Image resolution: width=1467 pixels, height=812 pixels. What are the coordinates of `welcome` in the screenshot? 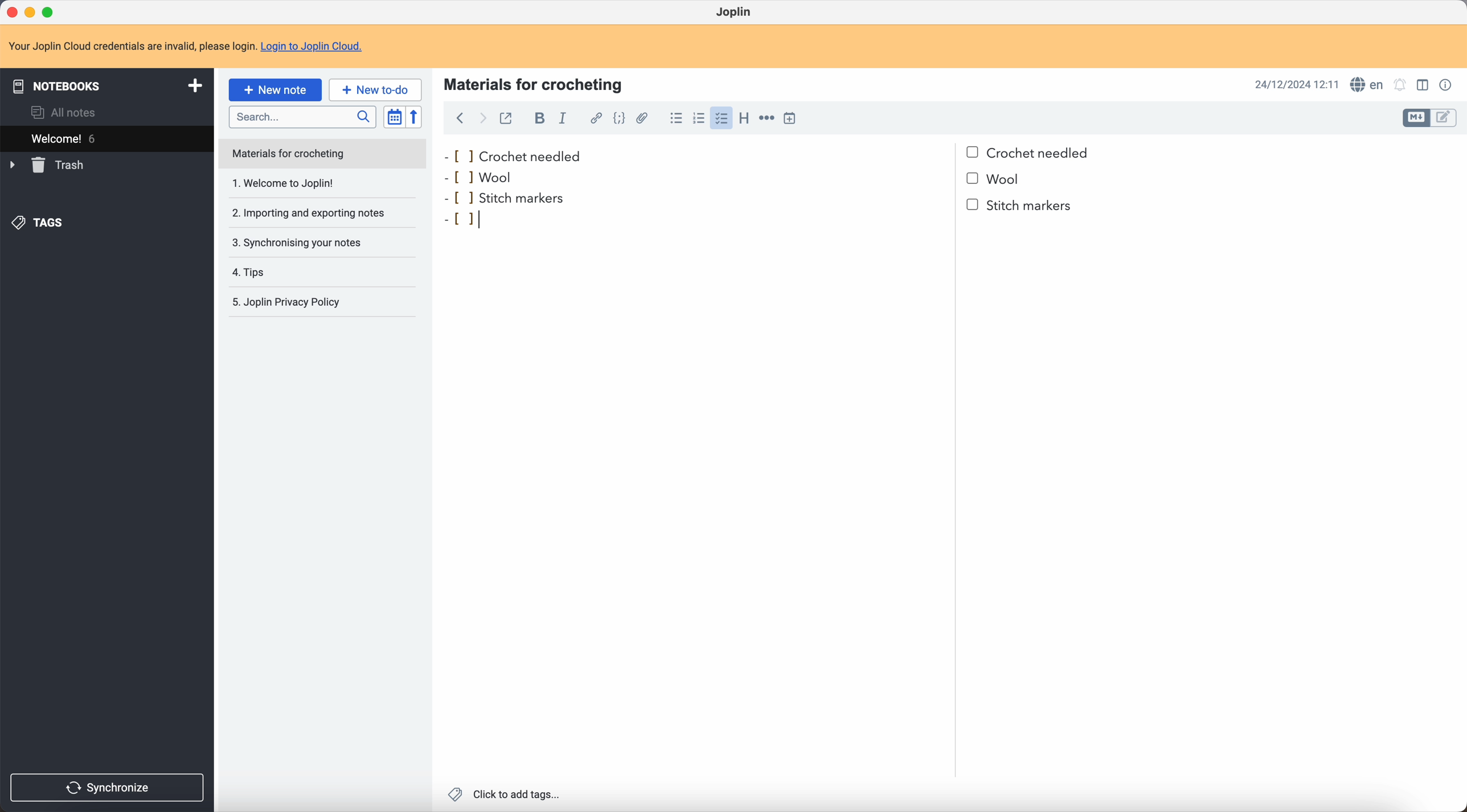 It's located at (106, 137).